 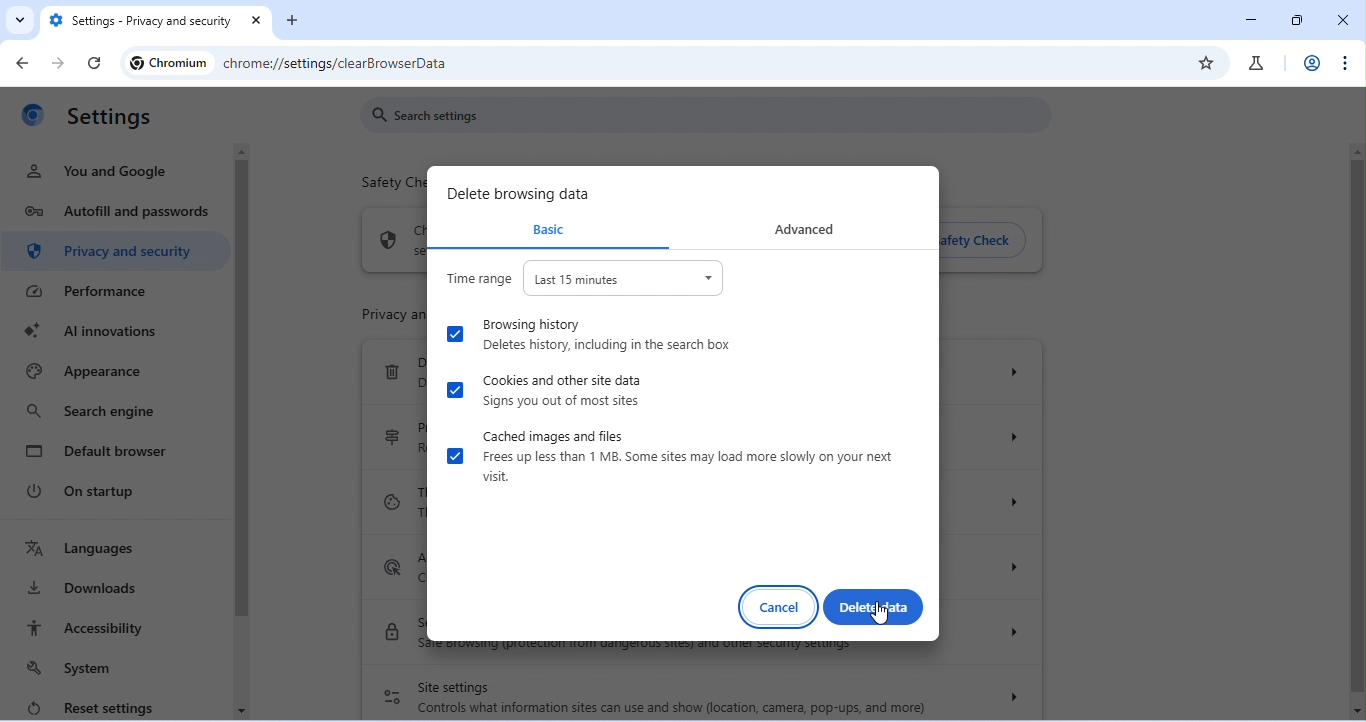 I want to click on account, so click(x=1310, y=62).